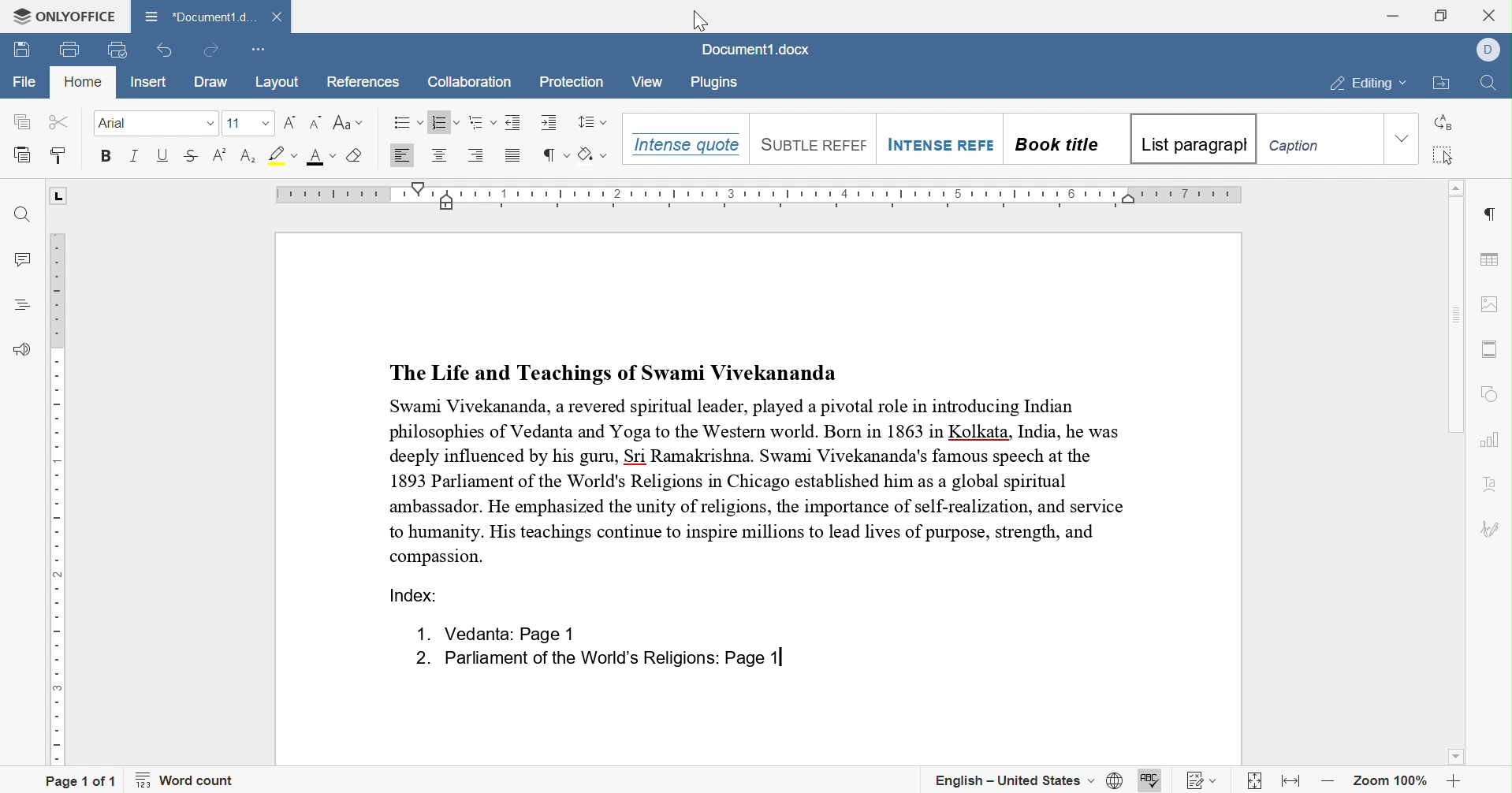  What do you see at coordinates (191, 155) in the screenshot?
I see `strikethrough` at bounding box center [191, 155].